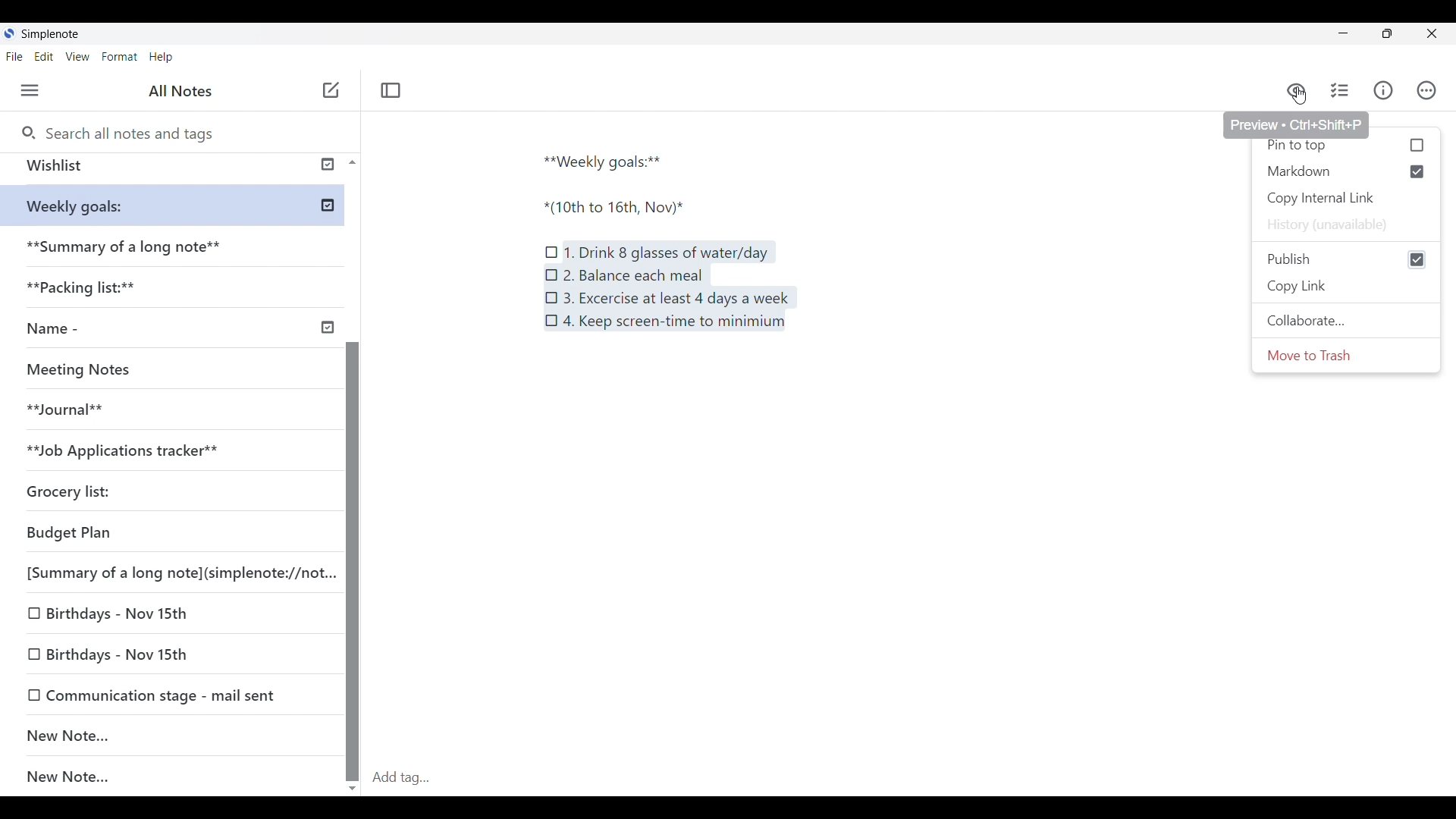 Image resolution: width=1456 pixels, height=819 pixels. I want to click on 1. Drink 8 glasses of water/day, so click(668, 252).